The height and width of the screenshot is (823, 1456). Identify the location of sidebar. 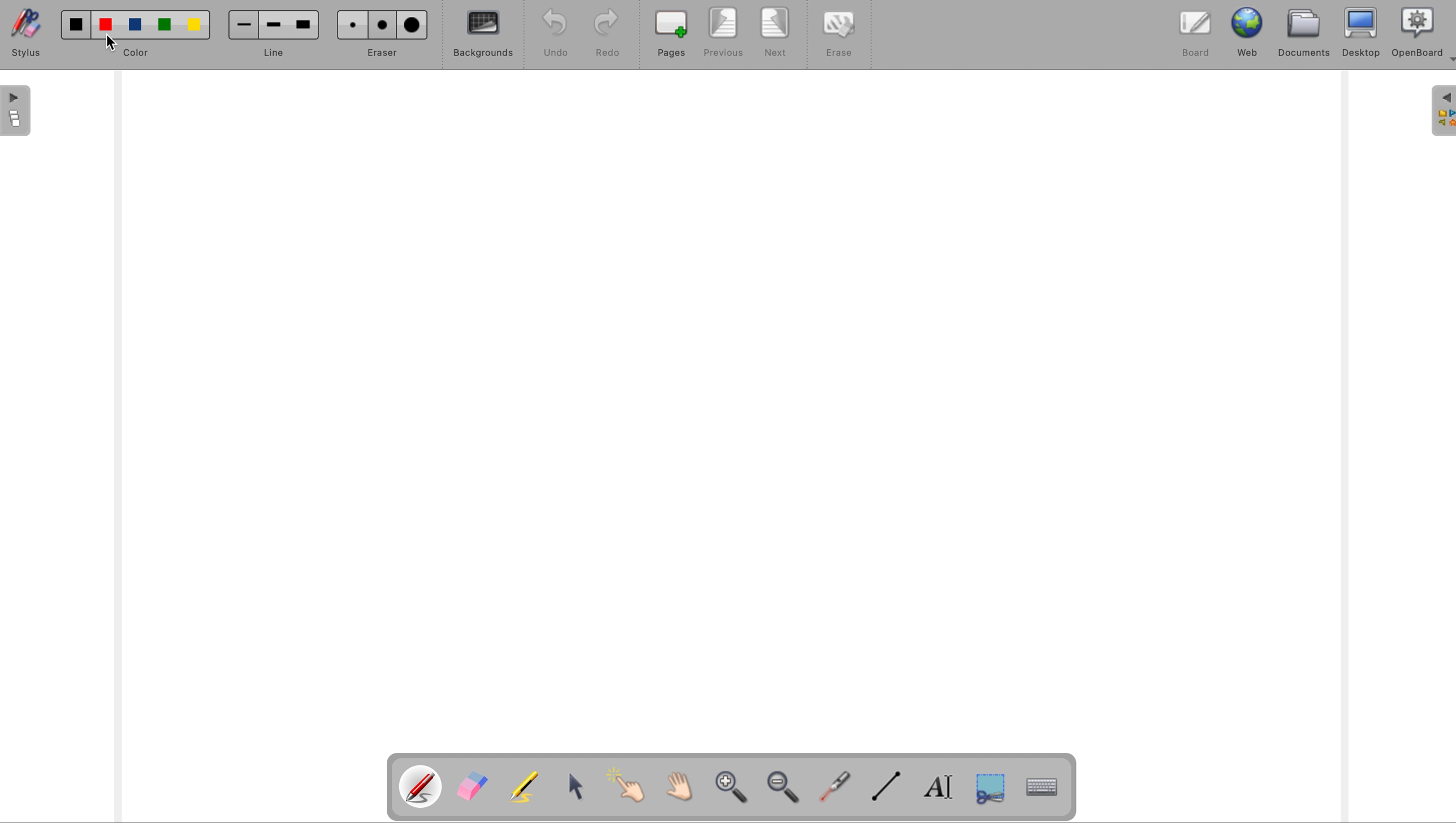
(1441, 111).